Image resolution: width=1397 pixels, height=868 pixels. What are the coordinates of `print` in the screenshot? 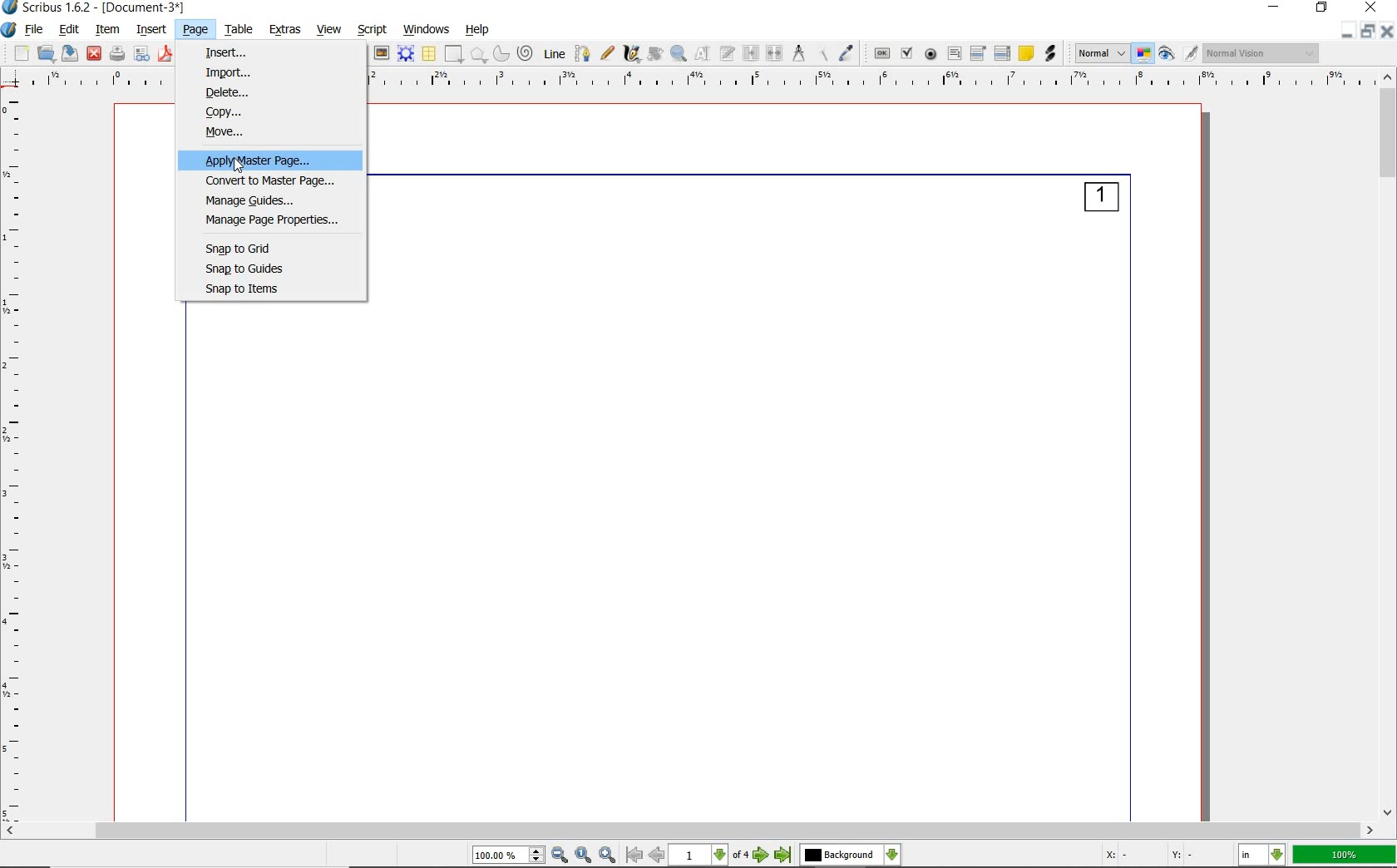 It's located at (118, 54).